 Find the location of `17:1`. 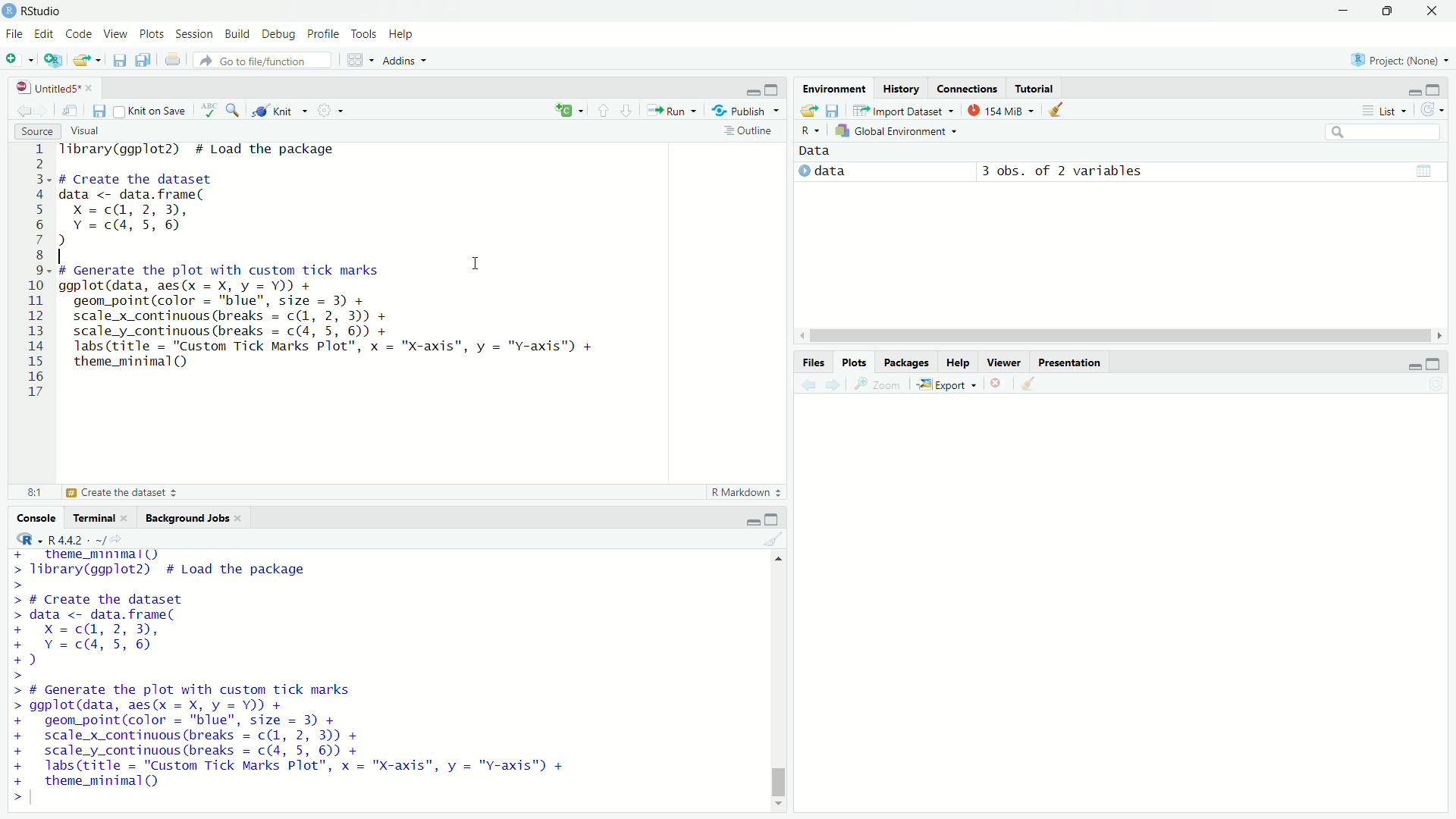

17:1 is located at coordinates (27, 492).